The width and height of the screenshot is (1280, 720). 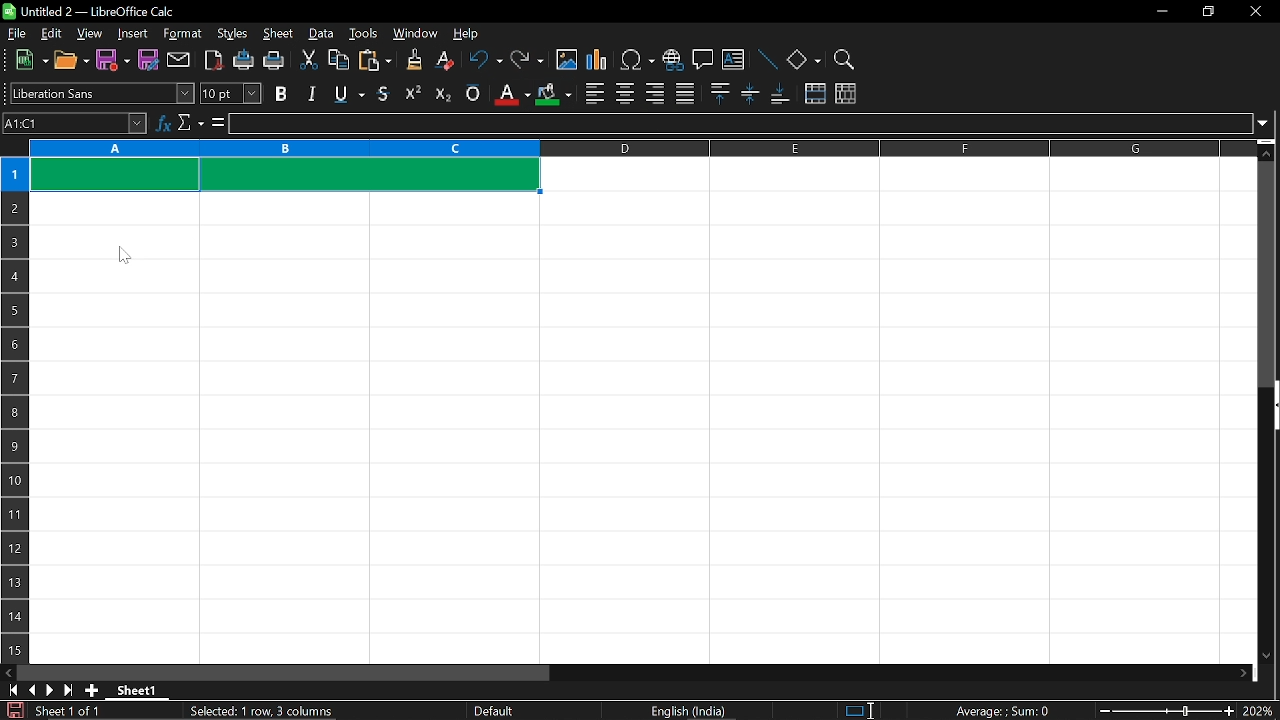 I want to click on columns, so click(x=640, y=149).